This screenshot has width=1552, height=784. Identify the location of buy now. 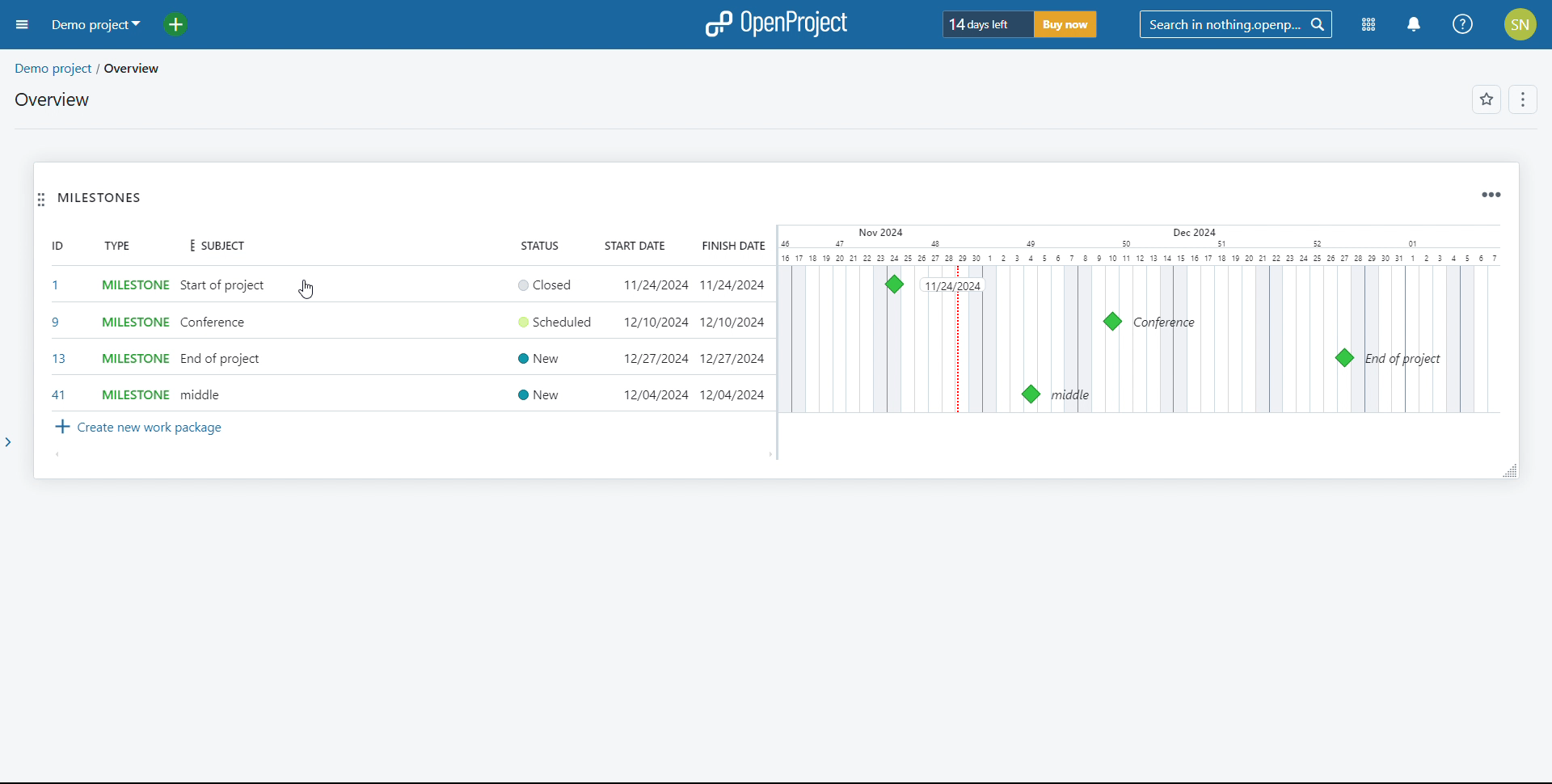
(1072, 27).